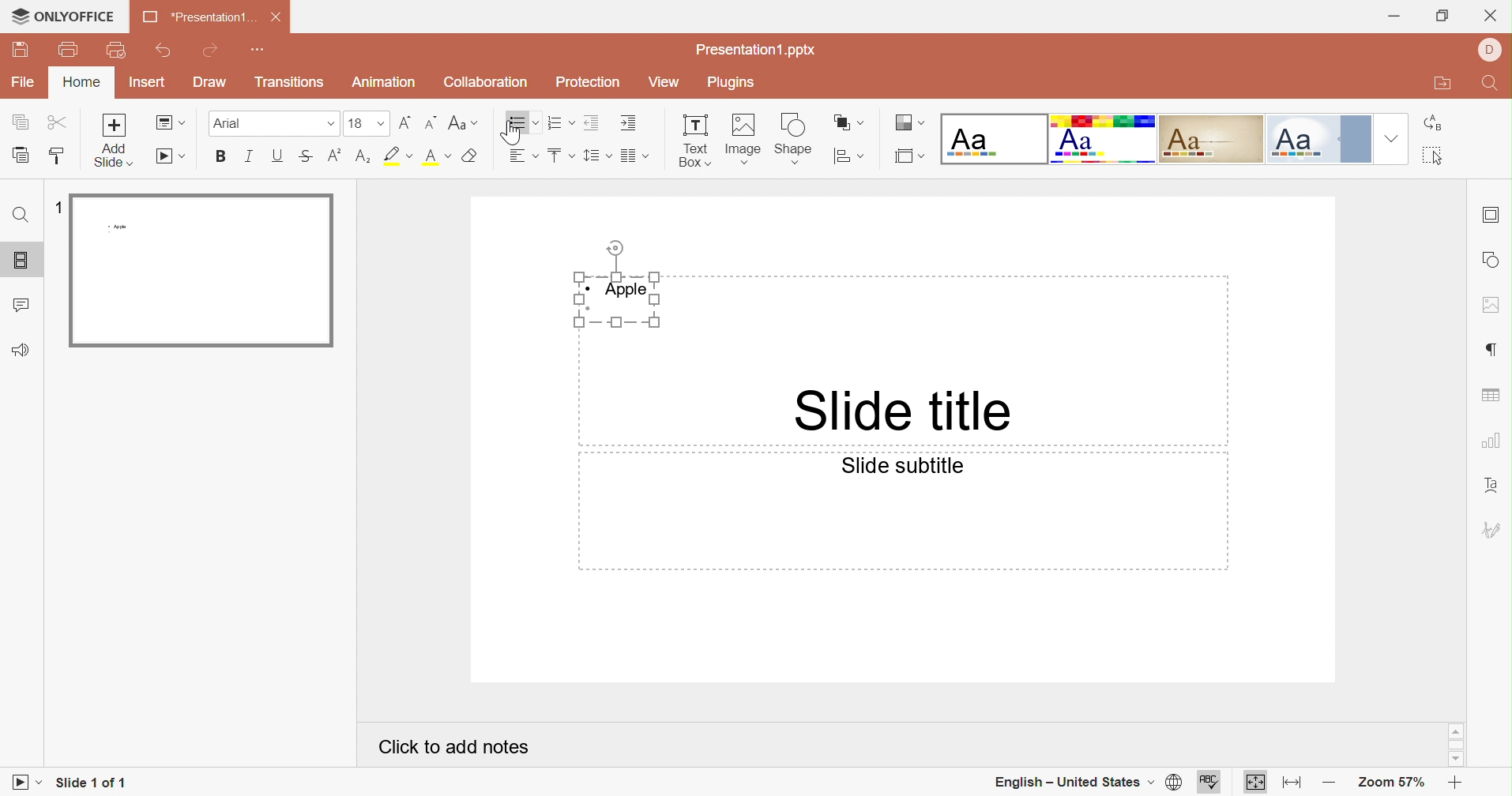  Describe the element at coordinates (911, 125) in the screenshot. I see `Change color theme` at that location.